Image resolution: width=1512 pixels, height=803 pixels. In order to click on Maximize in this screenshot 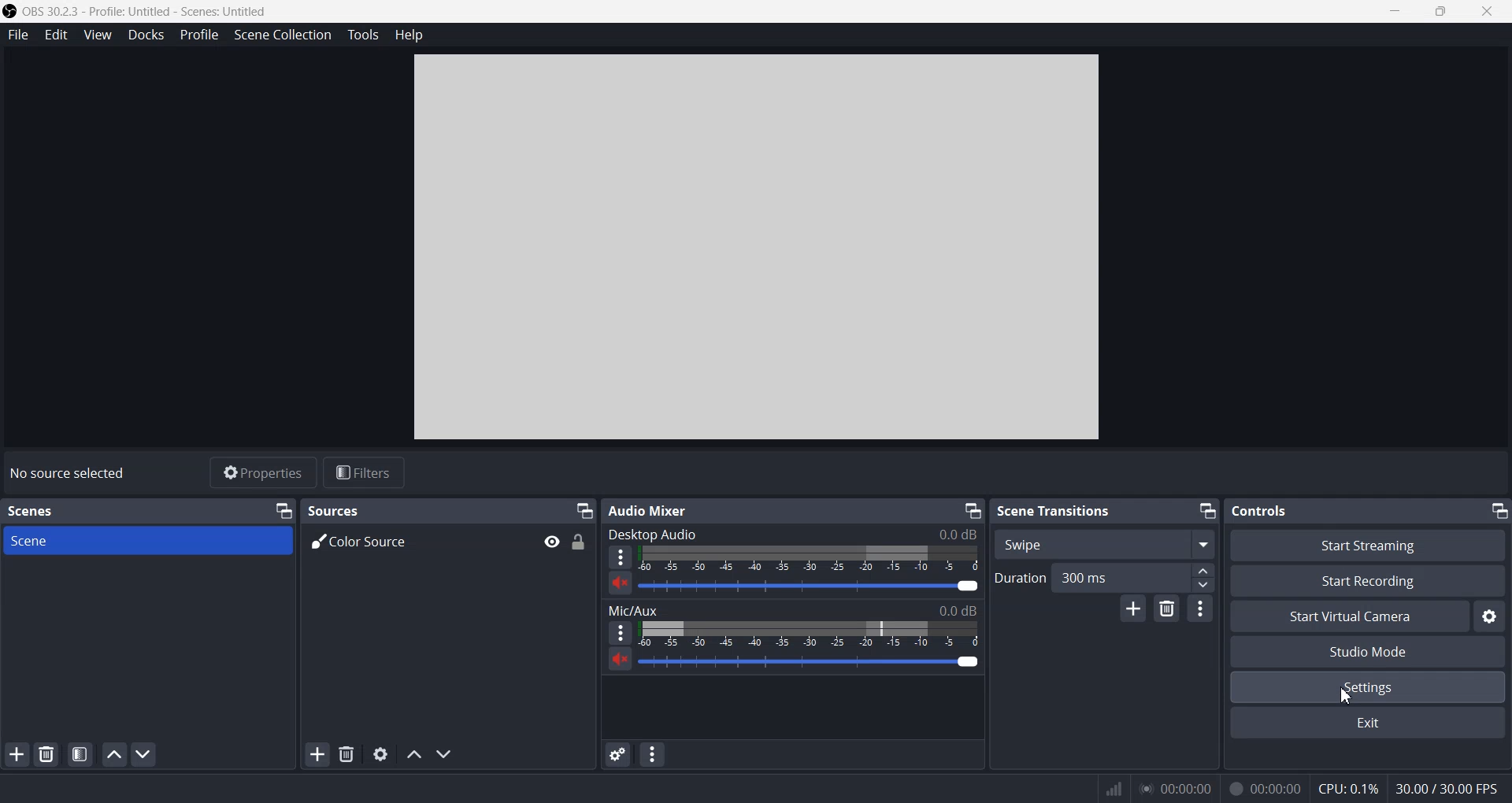, I will do `click(1441, 10)`.